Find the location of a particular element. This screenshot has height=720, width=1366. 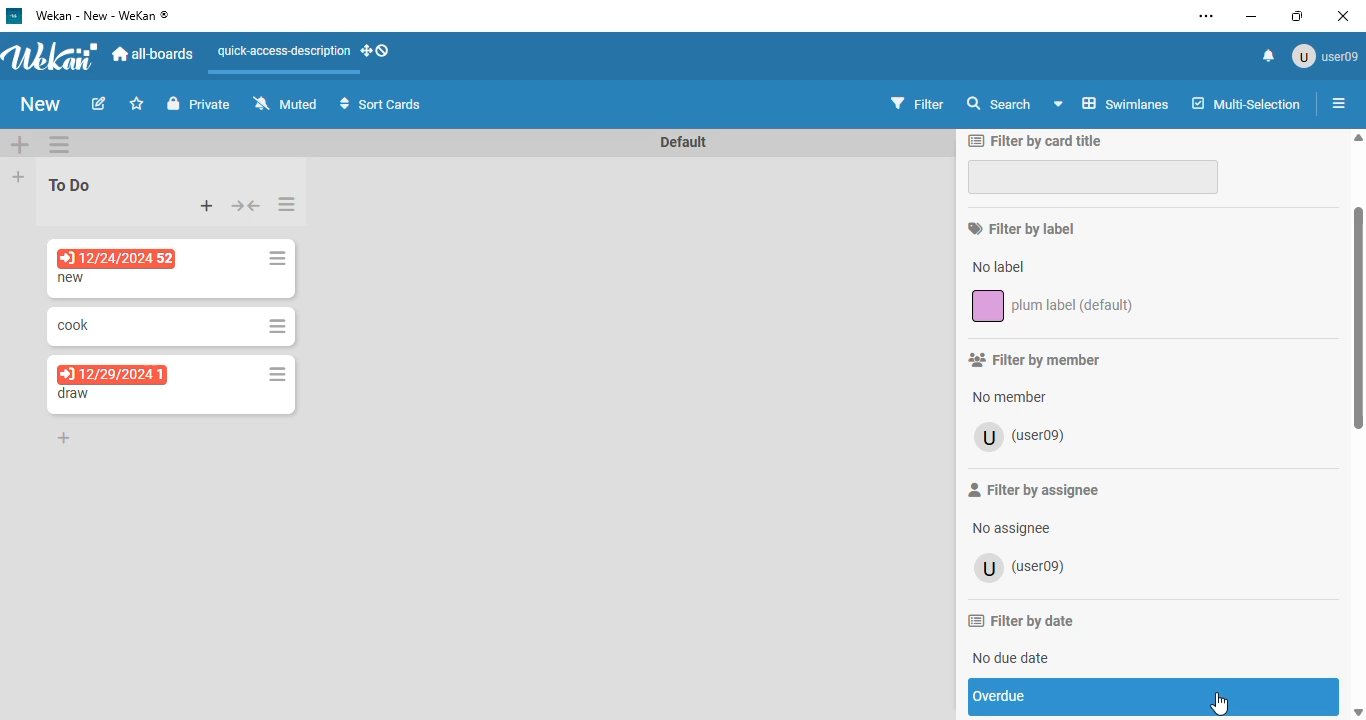

filter is located at coordinates (918, 104).